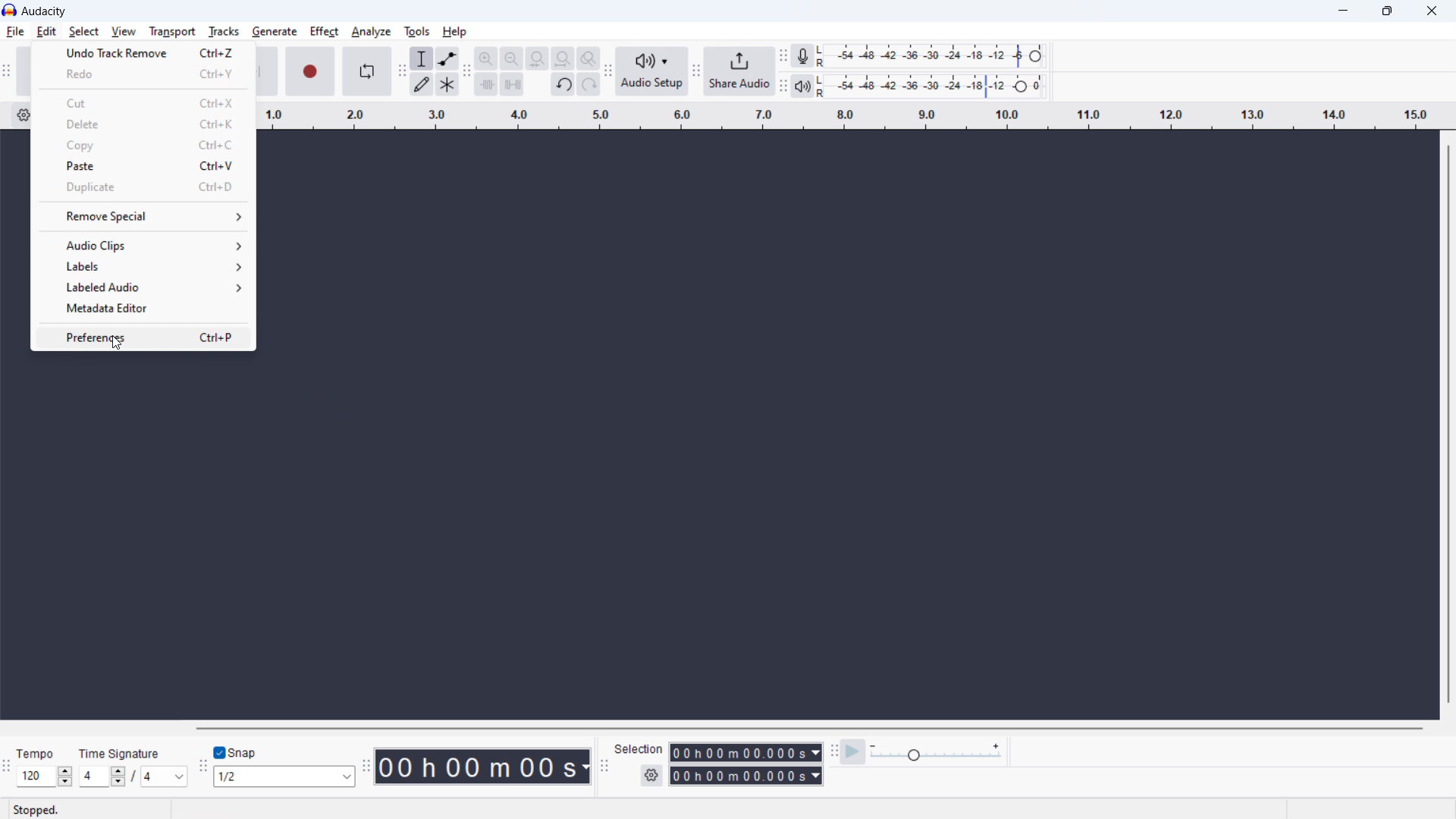 This screenshot has height=819, width=1456. I want to click on zoom out, so click(511, 58).